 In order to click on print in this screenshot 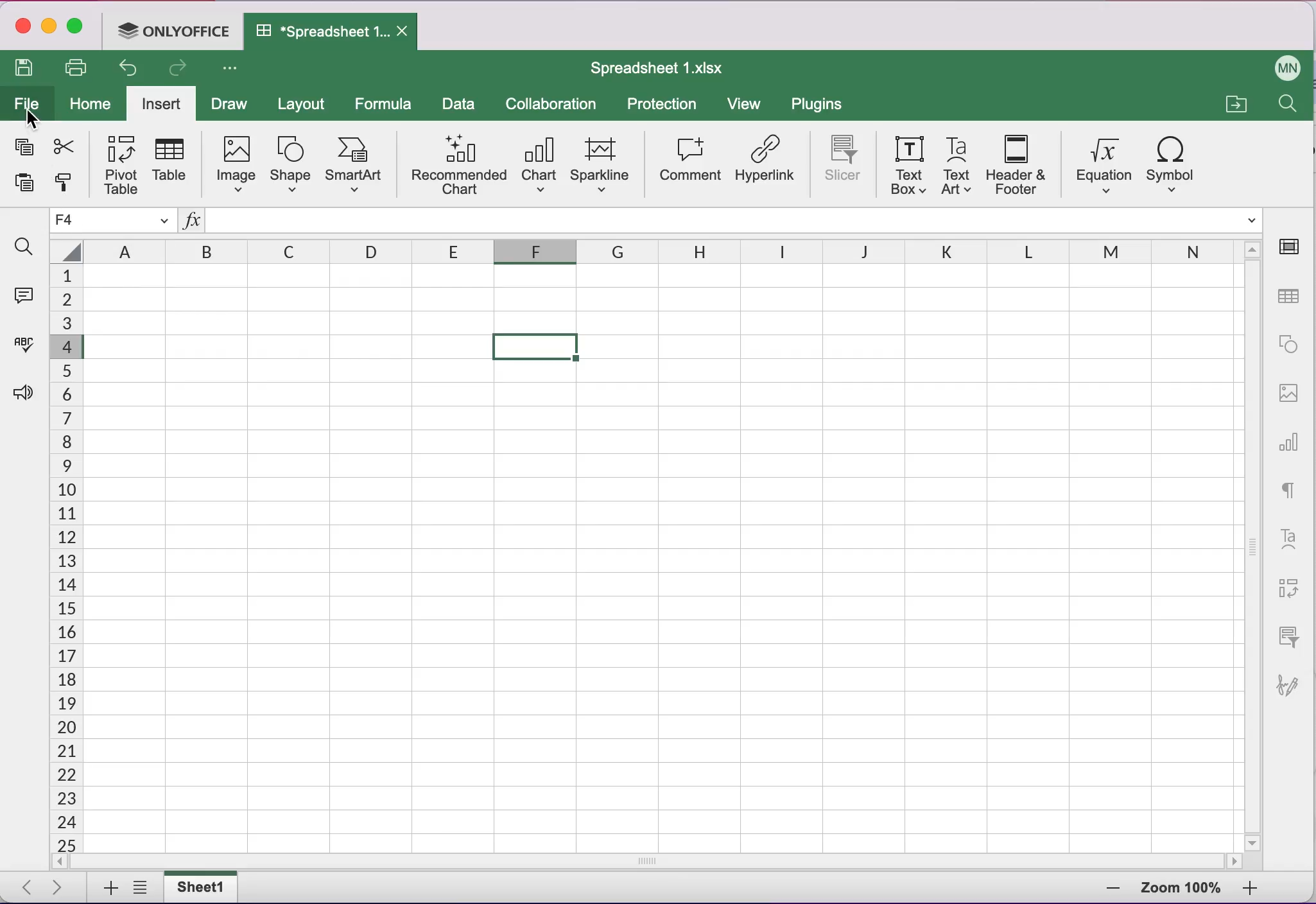, I will do `click(76, 69)`.